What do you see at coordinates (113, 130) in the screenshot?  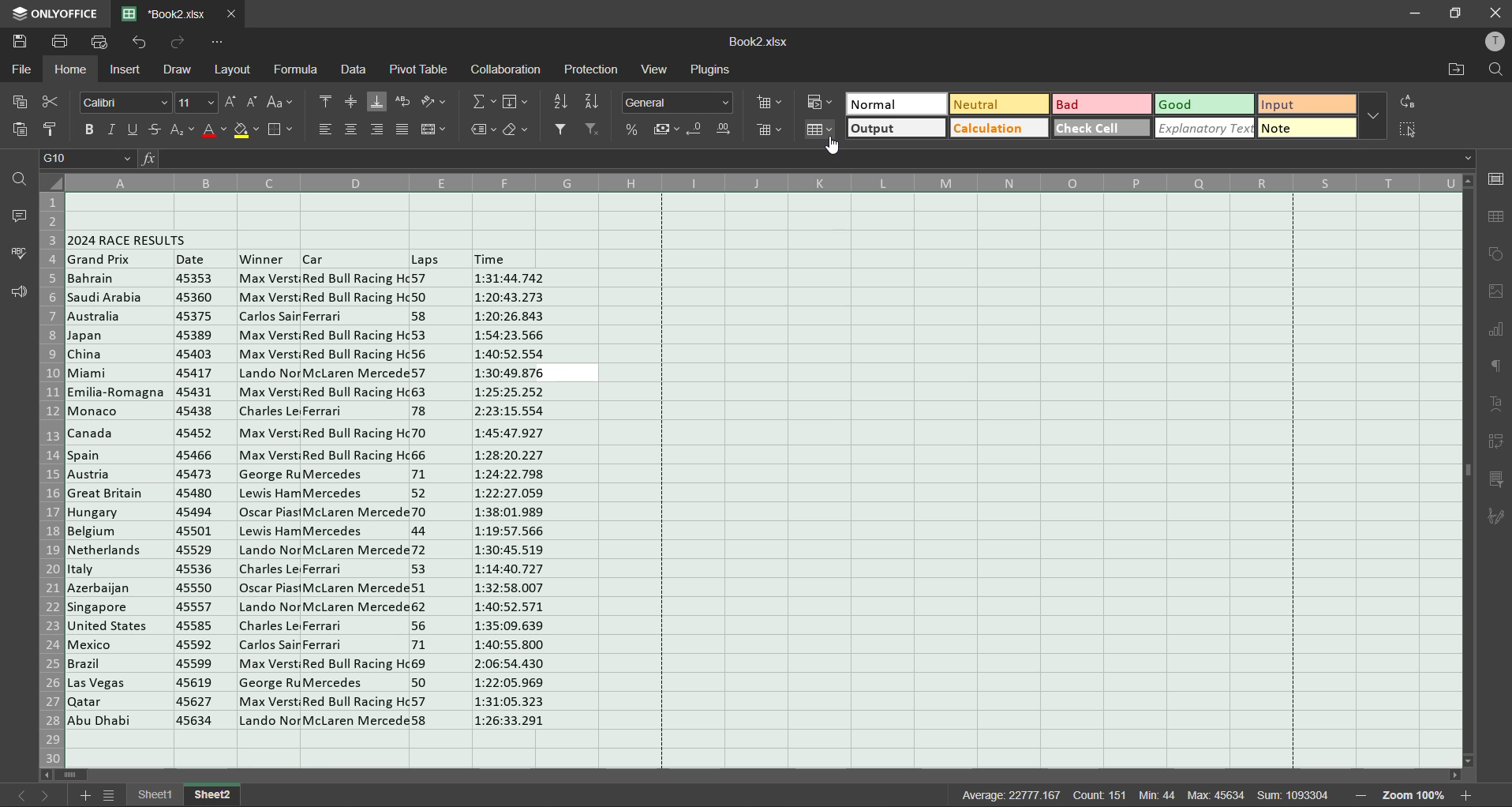 I see `italic` at bounding box center [113, 130].